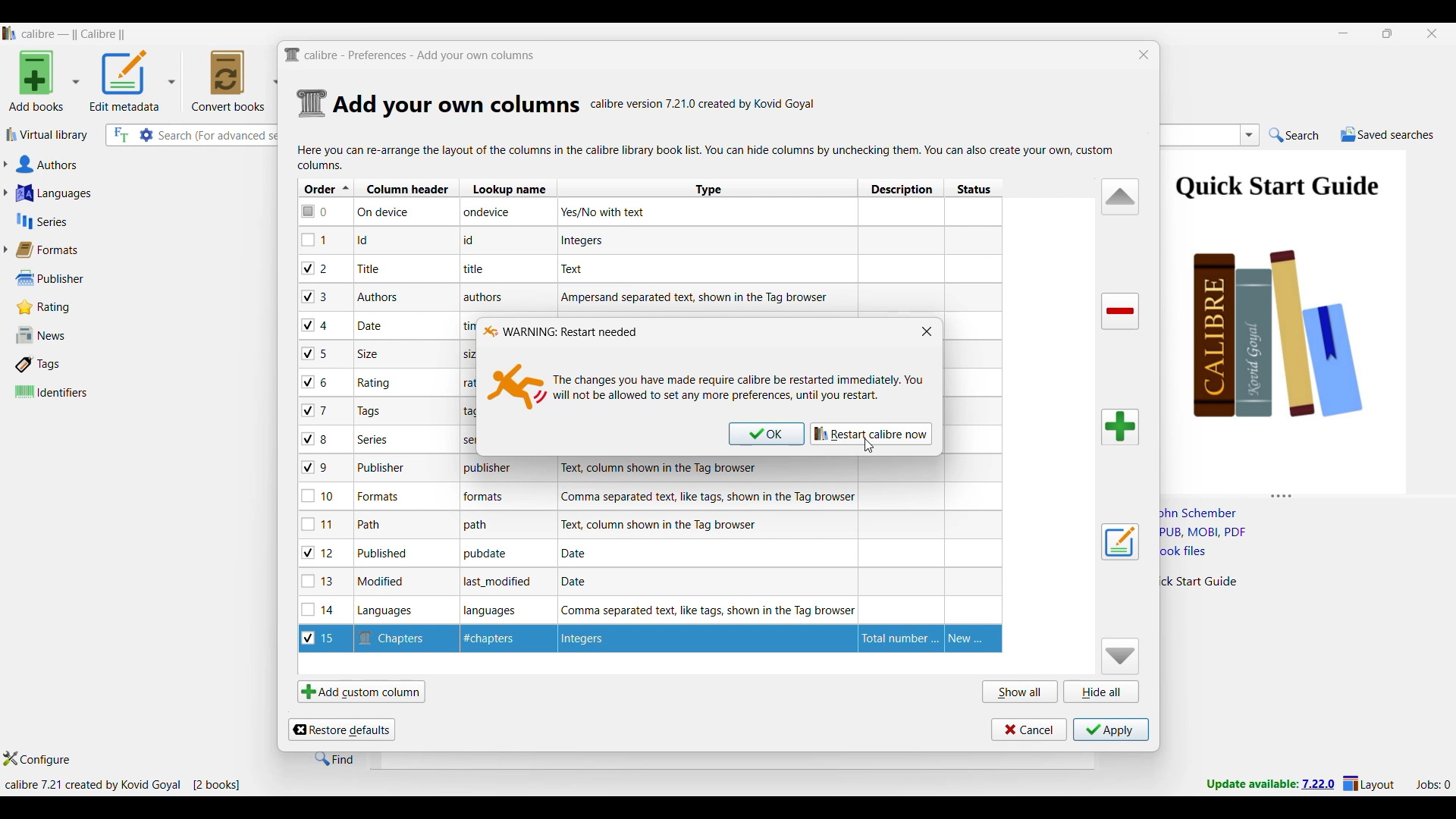 The width and height of the screenshot is (1456, 819). What do you see at coordinates (486, 297) in the screenshot?
I see `note` at bounding box center [486, 297].